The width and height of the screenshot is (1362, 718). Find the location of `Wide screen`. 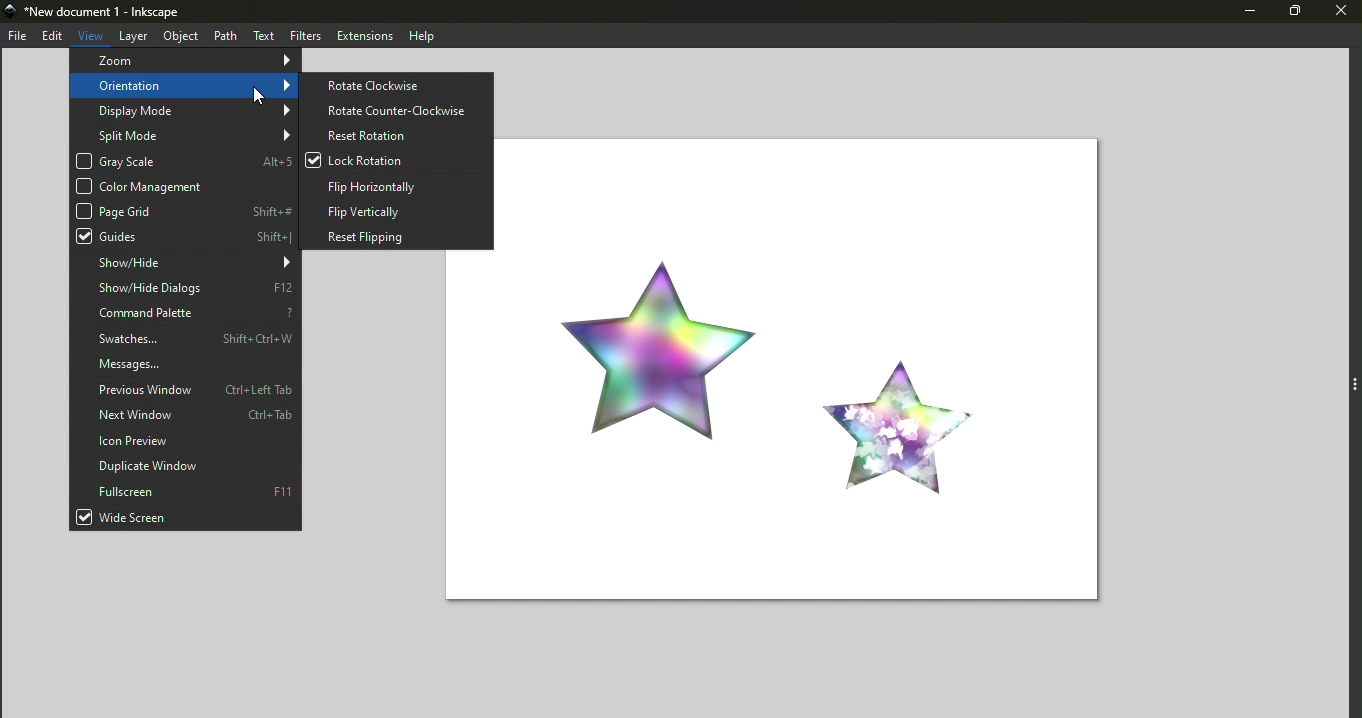

Wide screen is located at coordinates (185, 518).